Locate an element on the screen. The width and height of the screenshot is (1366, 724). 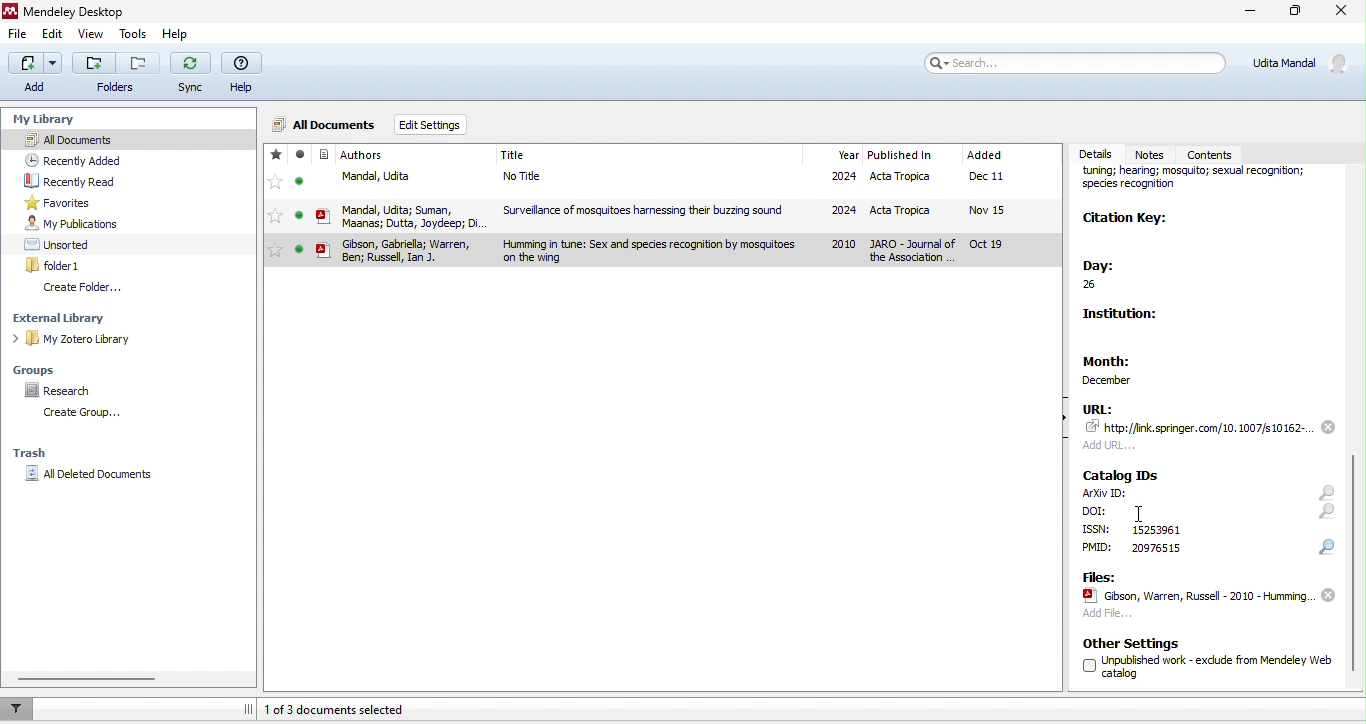
recently read is located at coordinates (73, 181).